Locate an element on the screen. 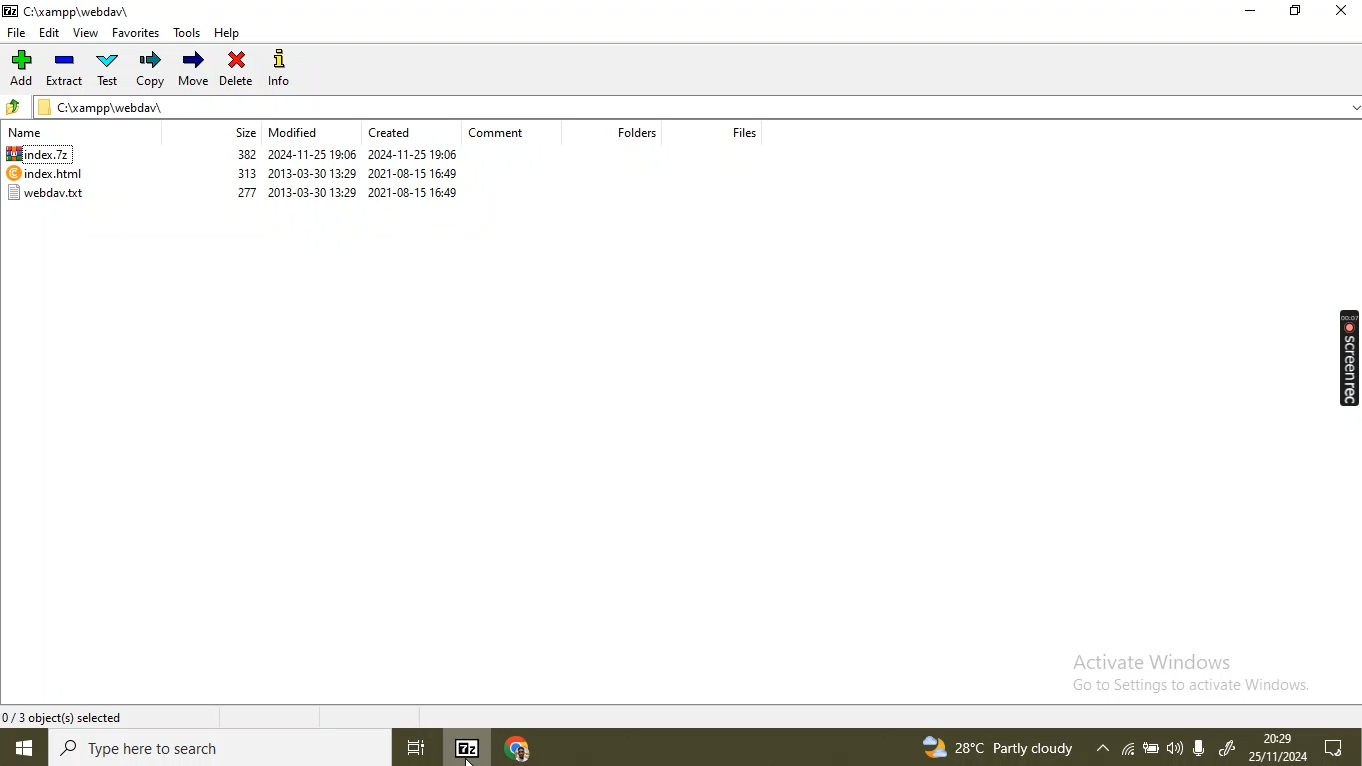 This screenshot has height=766, width=1362. notifications is located at coordinates (1334, 747).